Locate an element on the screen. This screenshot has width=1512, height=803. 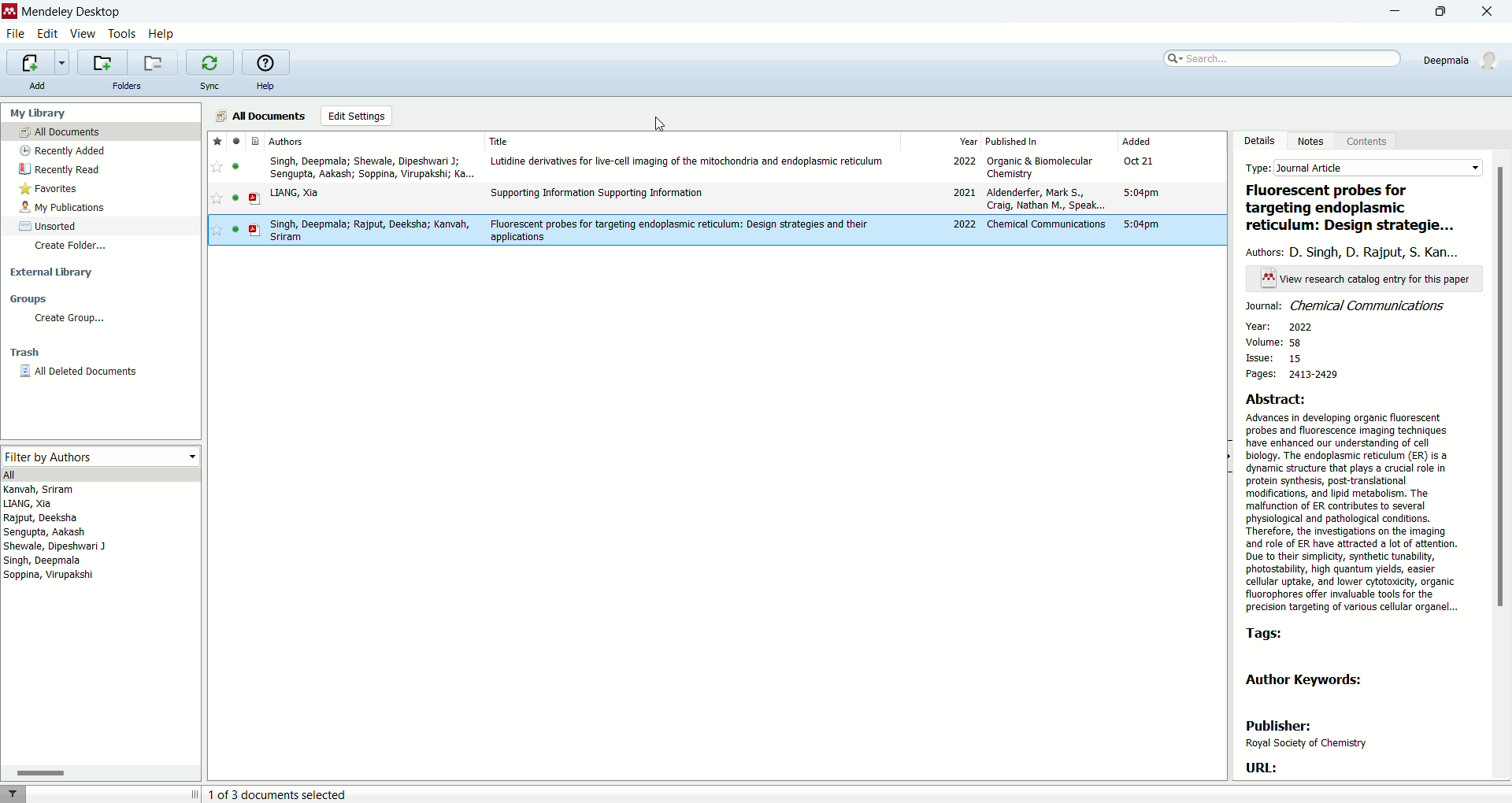
close is located at coordinates (1487, 12).